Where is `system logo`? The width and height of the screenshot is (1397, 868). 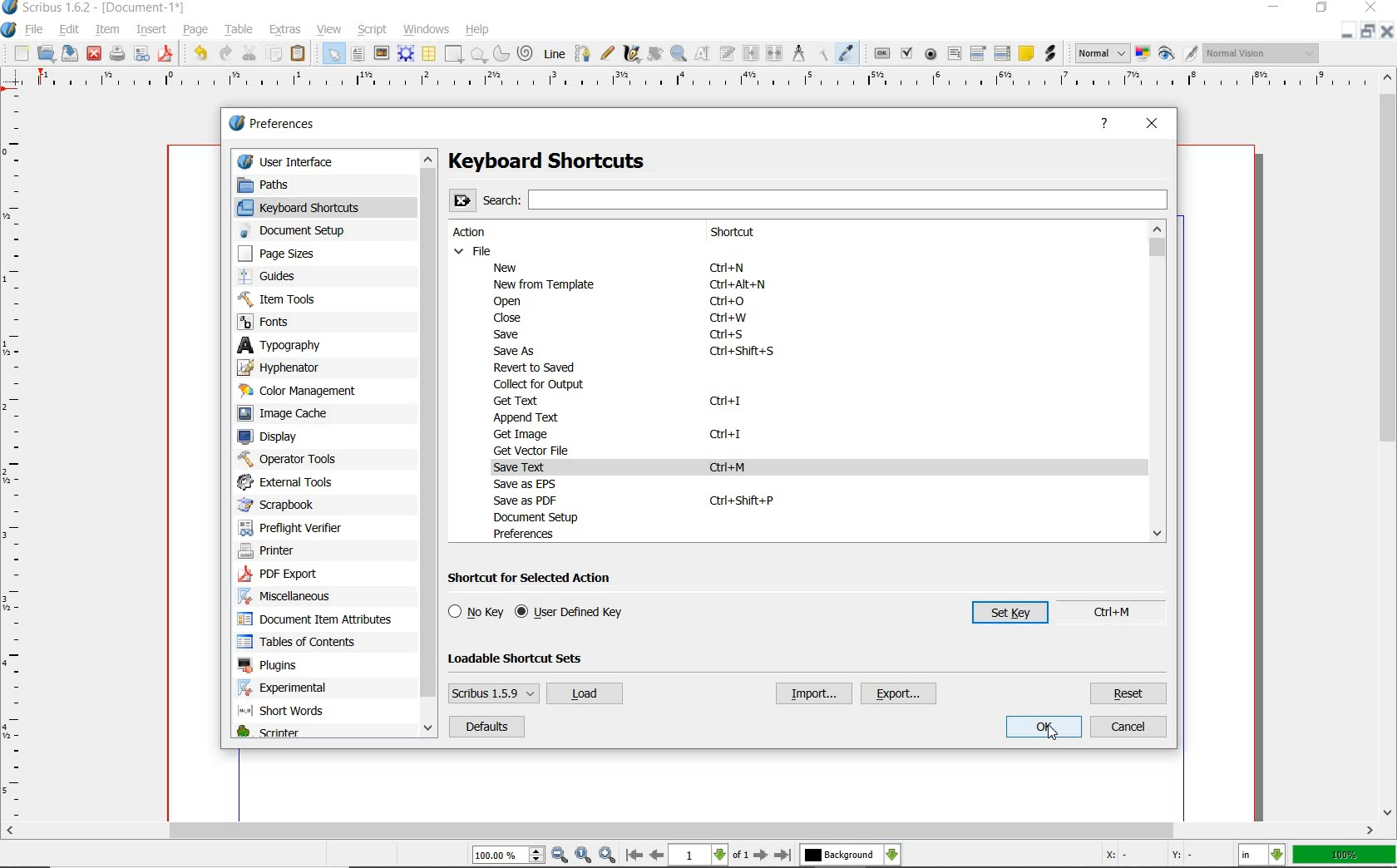 system logo is located at coordinates (9, 31).